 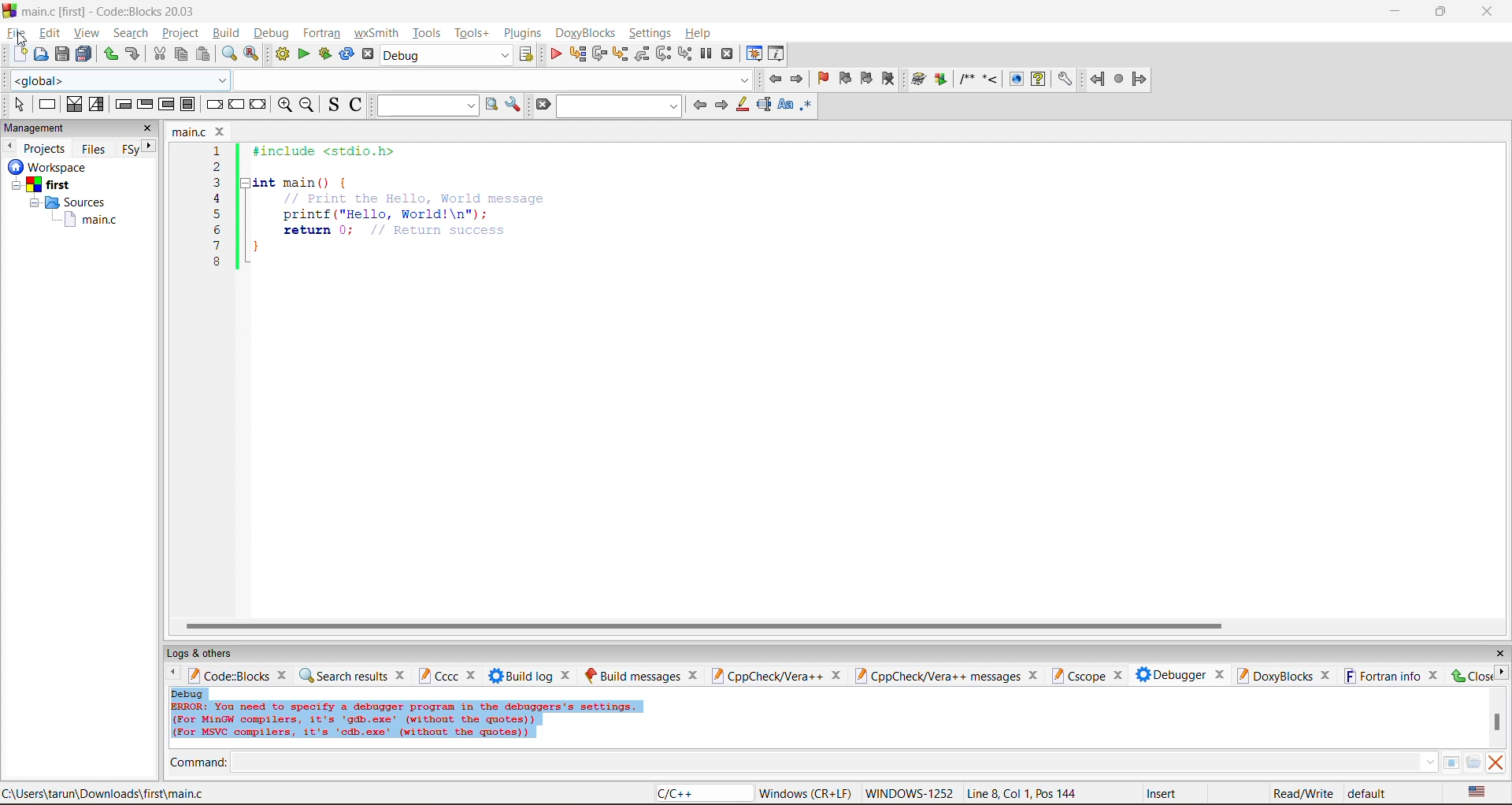 What do you see at coordinates (286, 106) in the screenshot?
I see `zoom in` at bounding box center [286, 106].